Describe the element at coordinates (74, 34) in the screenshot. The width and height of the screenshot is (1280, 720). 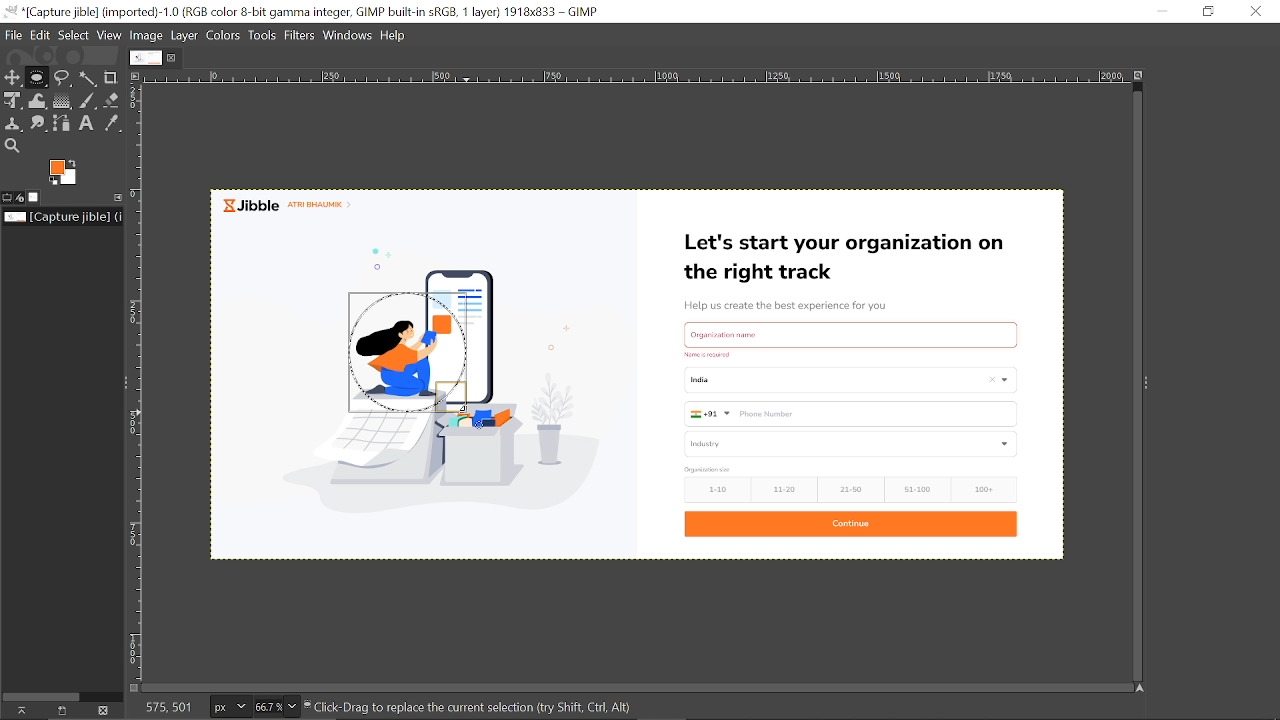
I see `Select` at that location.